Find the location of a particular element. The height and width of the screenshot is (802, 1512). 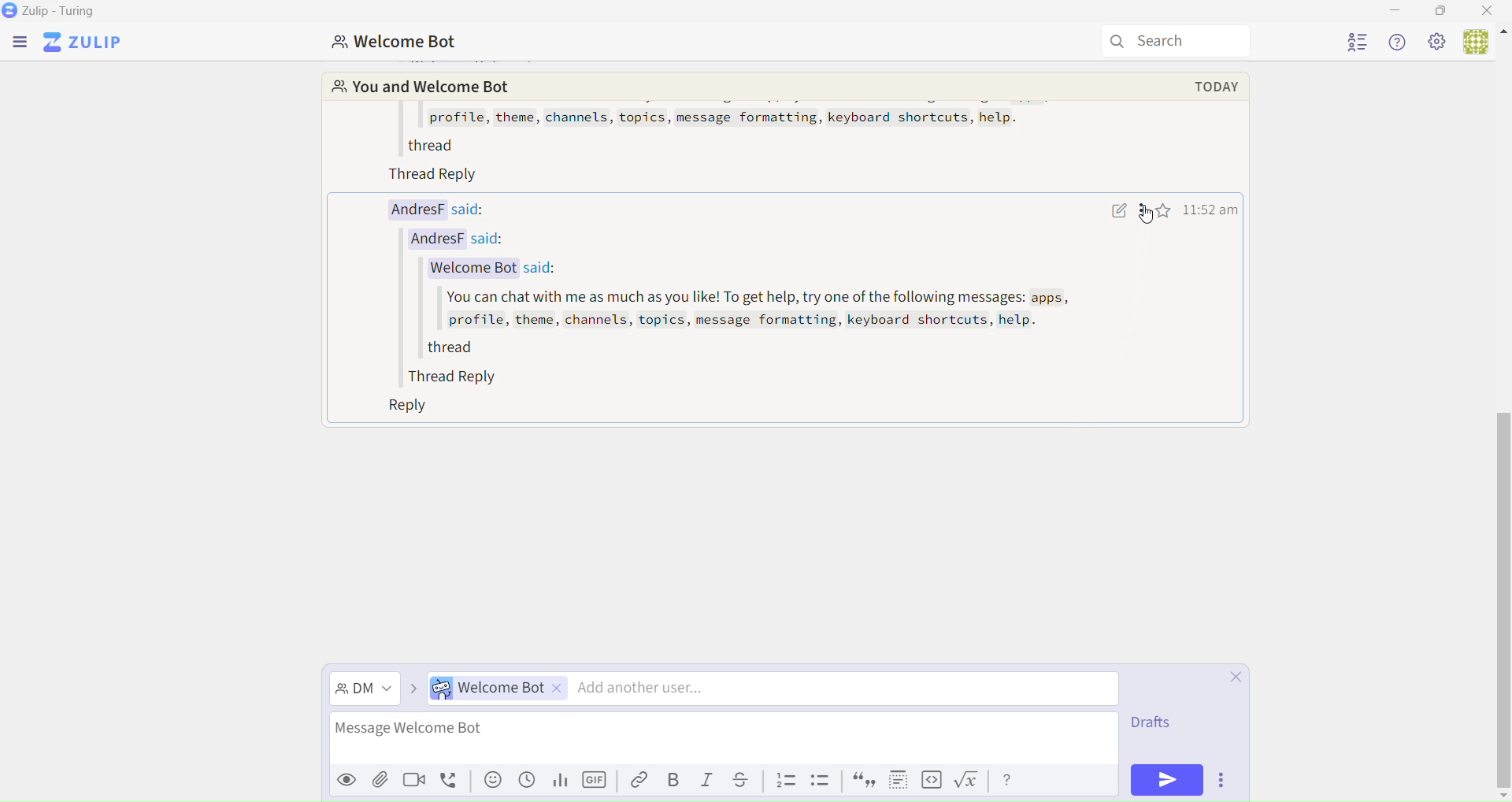

spoiler is located at coordinates (899, 782).